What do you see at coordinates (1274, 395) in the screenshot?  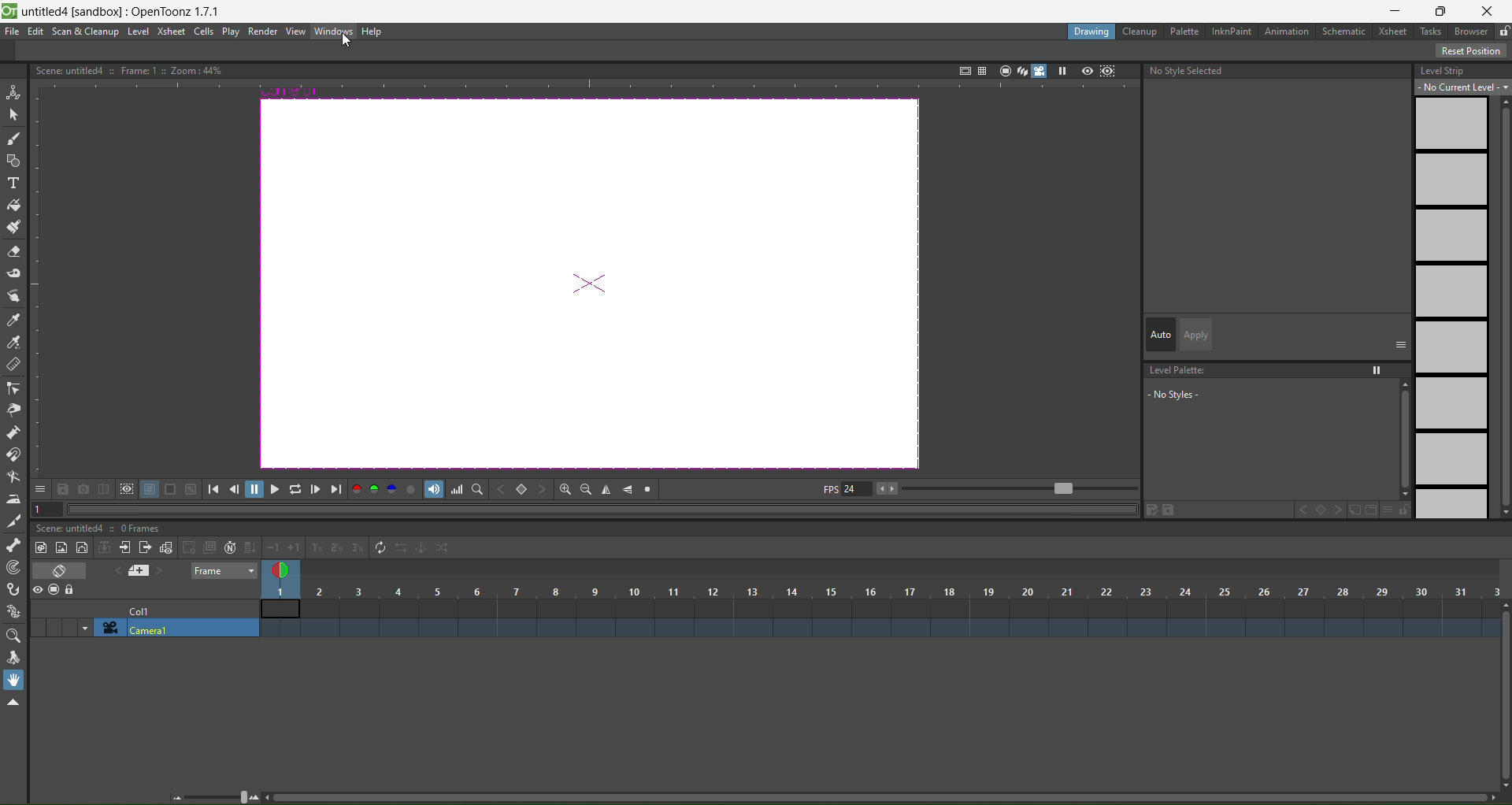 I see `level palette` at bounding box center [1274, 395].